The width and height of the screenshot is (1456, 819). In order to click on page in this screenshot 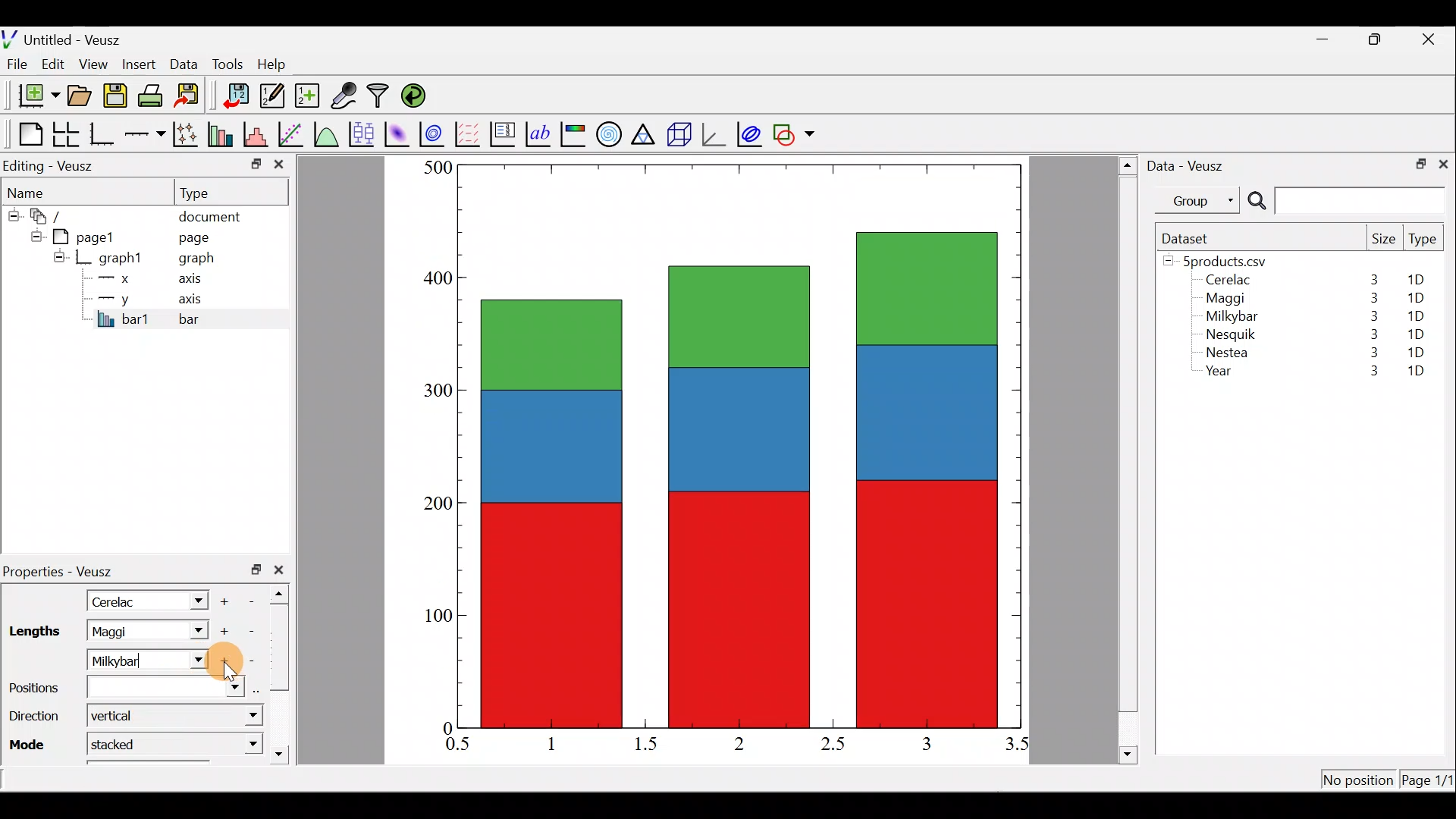, I will do `click(193, 237)`.